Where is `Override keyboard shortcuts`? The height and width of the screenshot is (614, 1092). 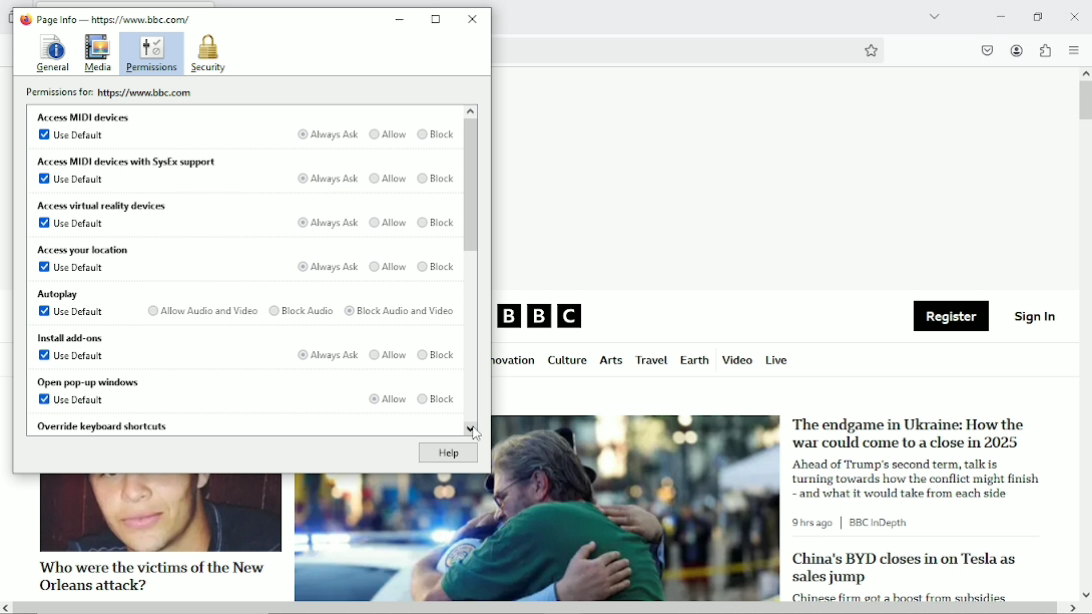 Override keyboard shortcuts is located at coordinates (103, 426).